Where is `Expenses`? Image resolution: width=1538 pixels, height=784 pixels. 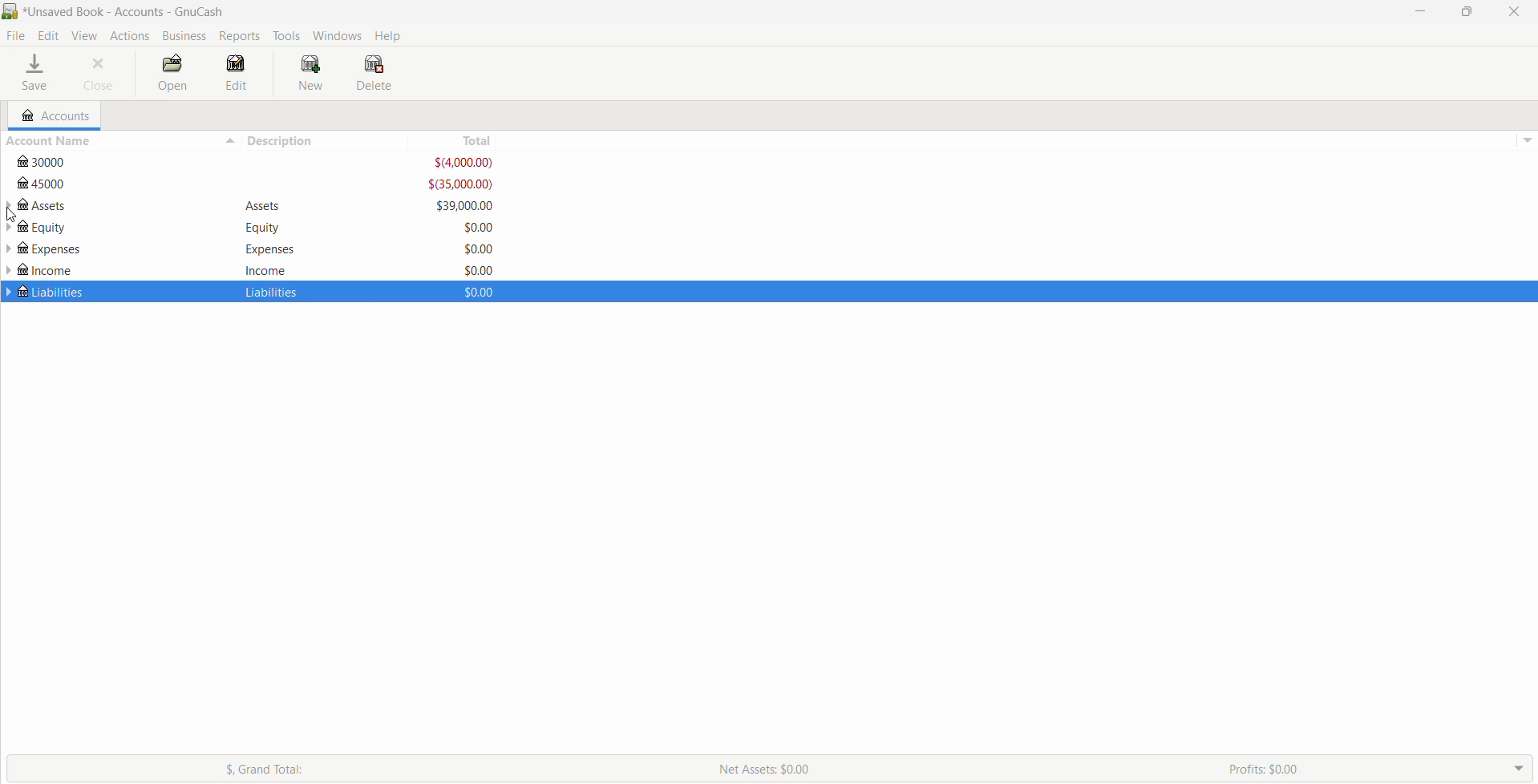 Expenses is located at coordinates (116, 249).